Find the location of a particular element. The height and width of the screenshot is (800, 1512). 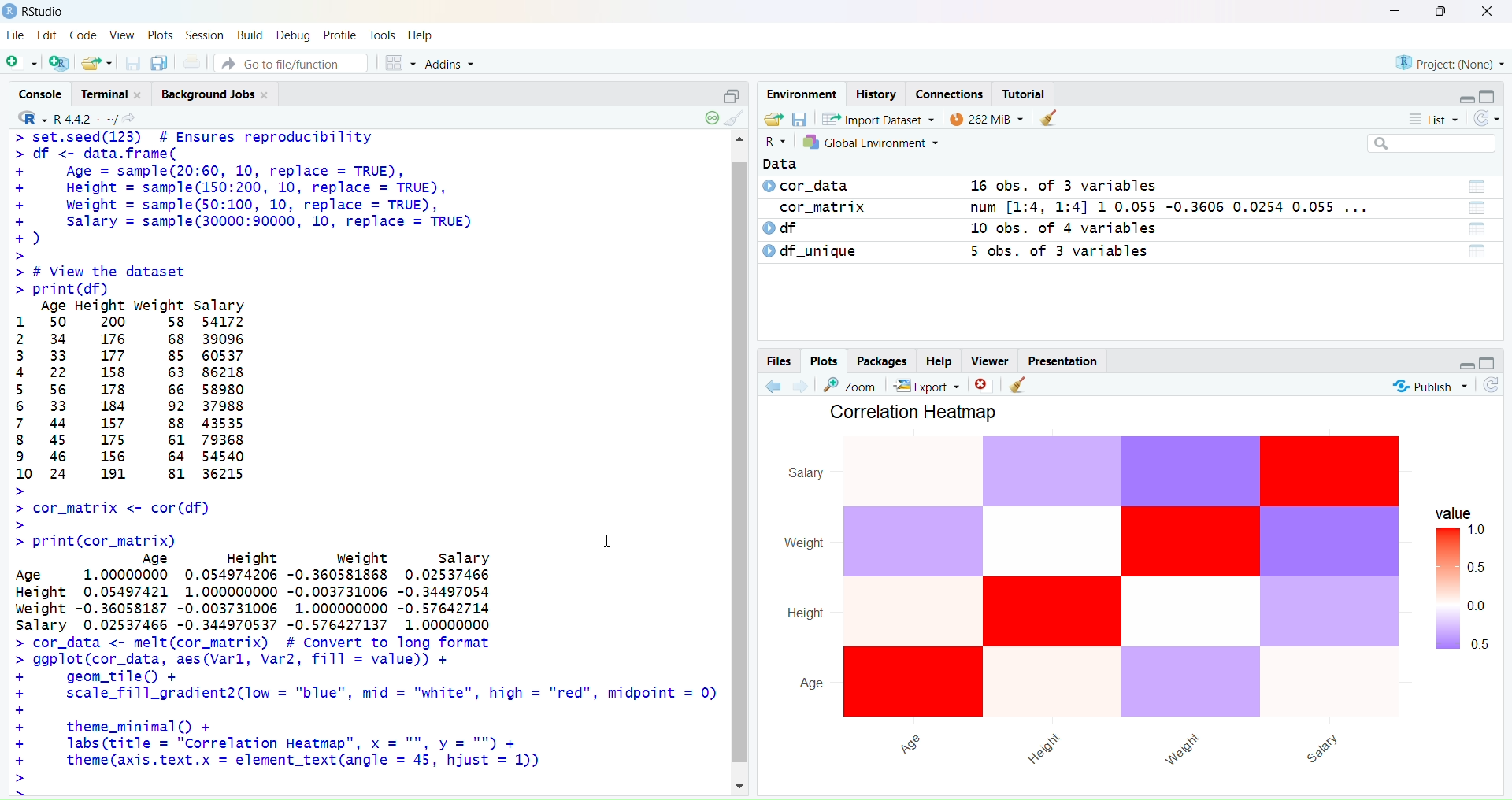

1.0 is located at coordinates (1483, 532).